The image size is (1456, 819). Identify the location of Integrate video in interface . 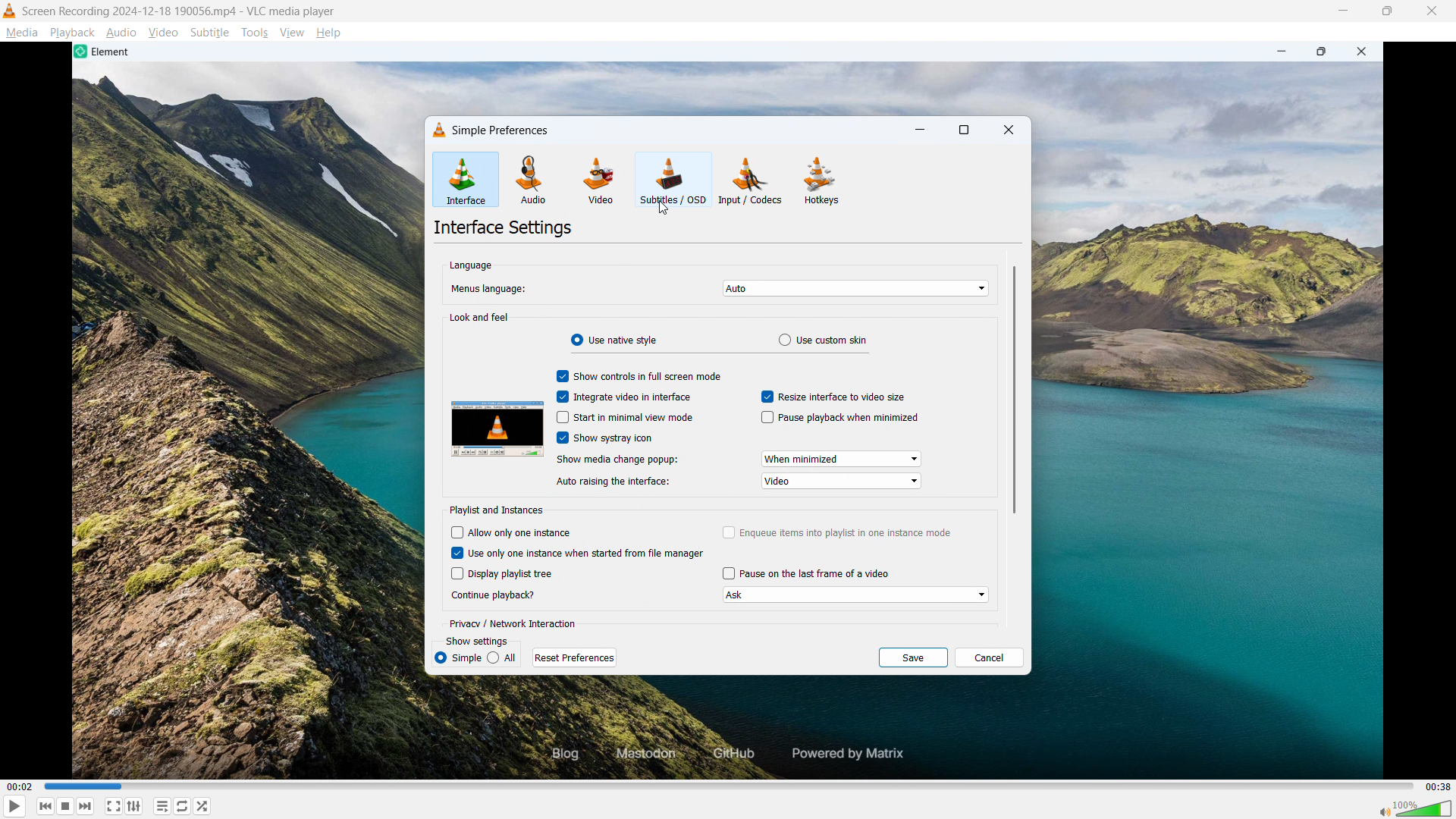
(634, 397).